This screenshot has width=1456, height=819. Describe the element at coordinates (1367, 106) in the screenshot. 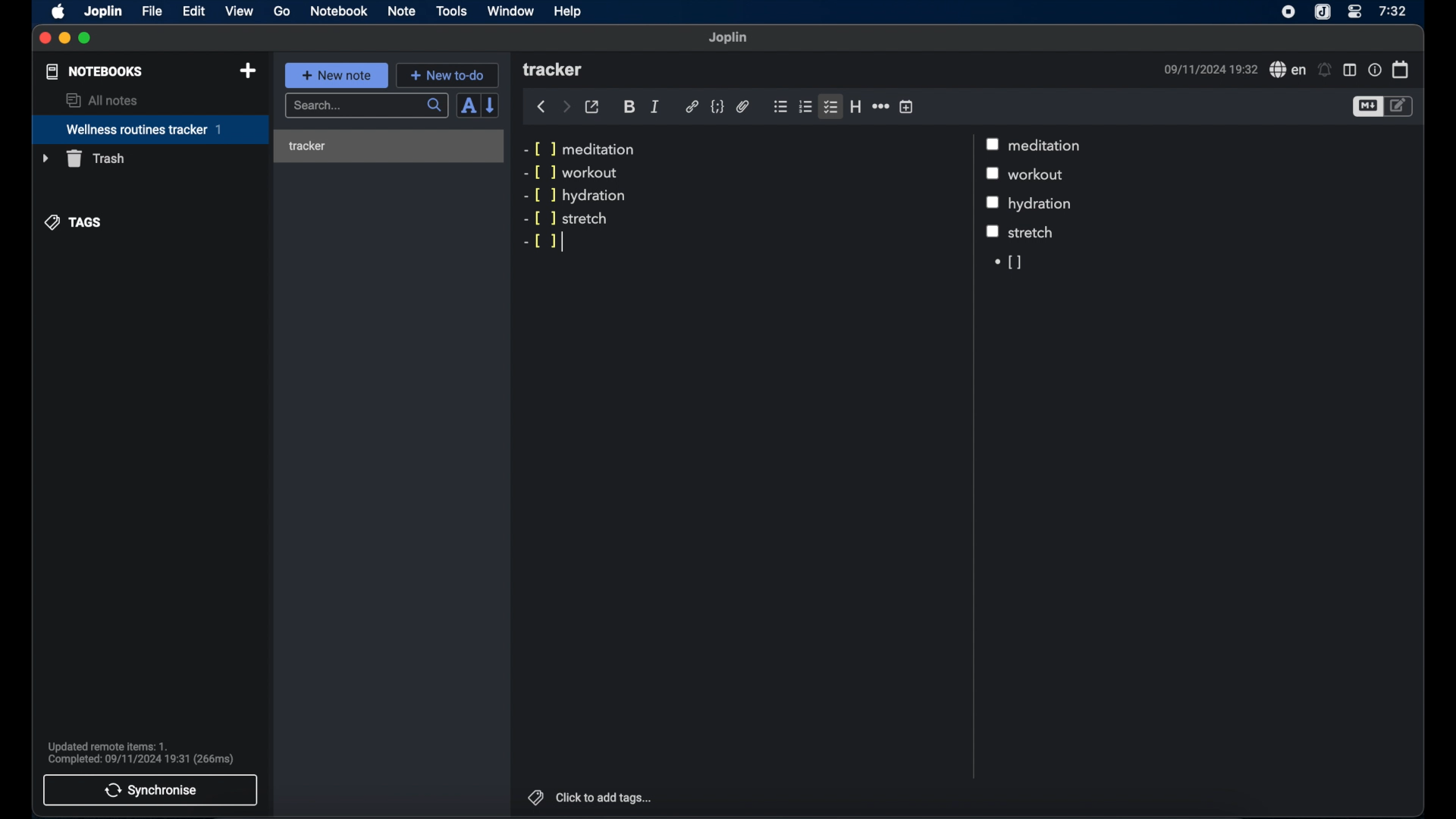

I see `toggle editor` at that location.